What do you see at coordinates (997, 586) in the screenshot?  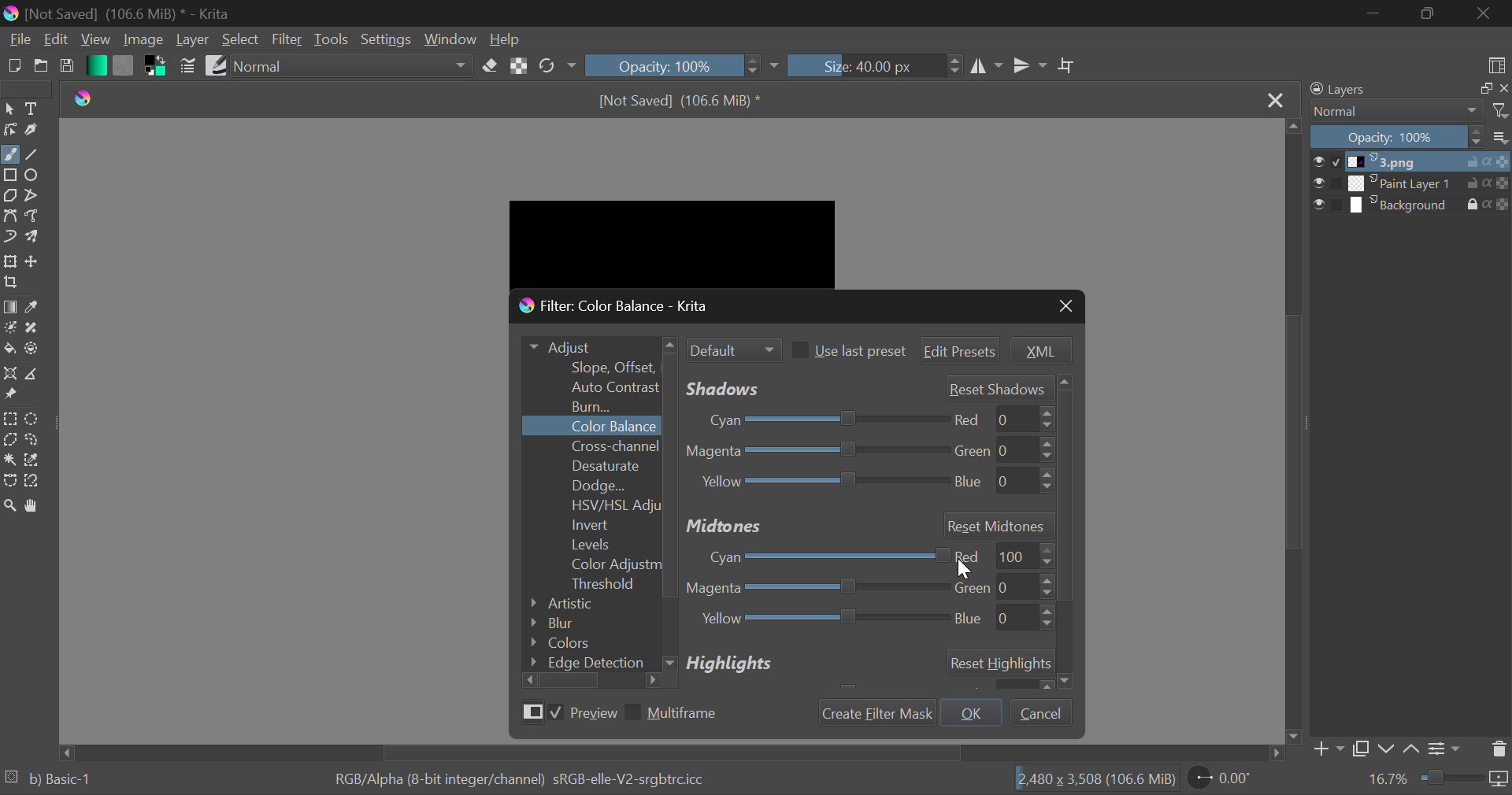 I see `green` at bounding box center [997, 586].